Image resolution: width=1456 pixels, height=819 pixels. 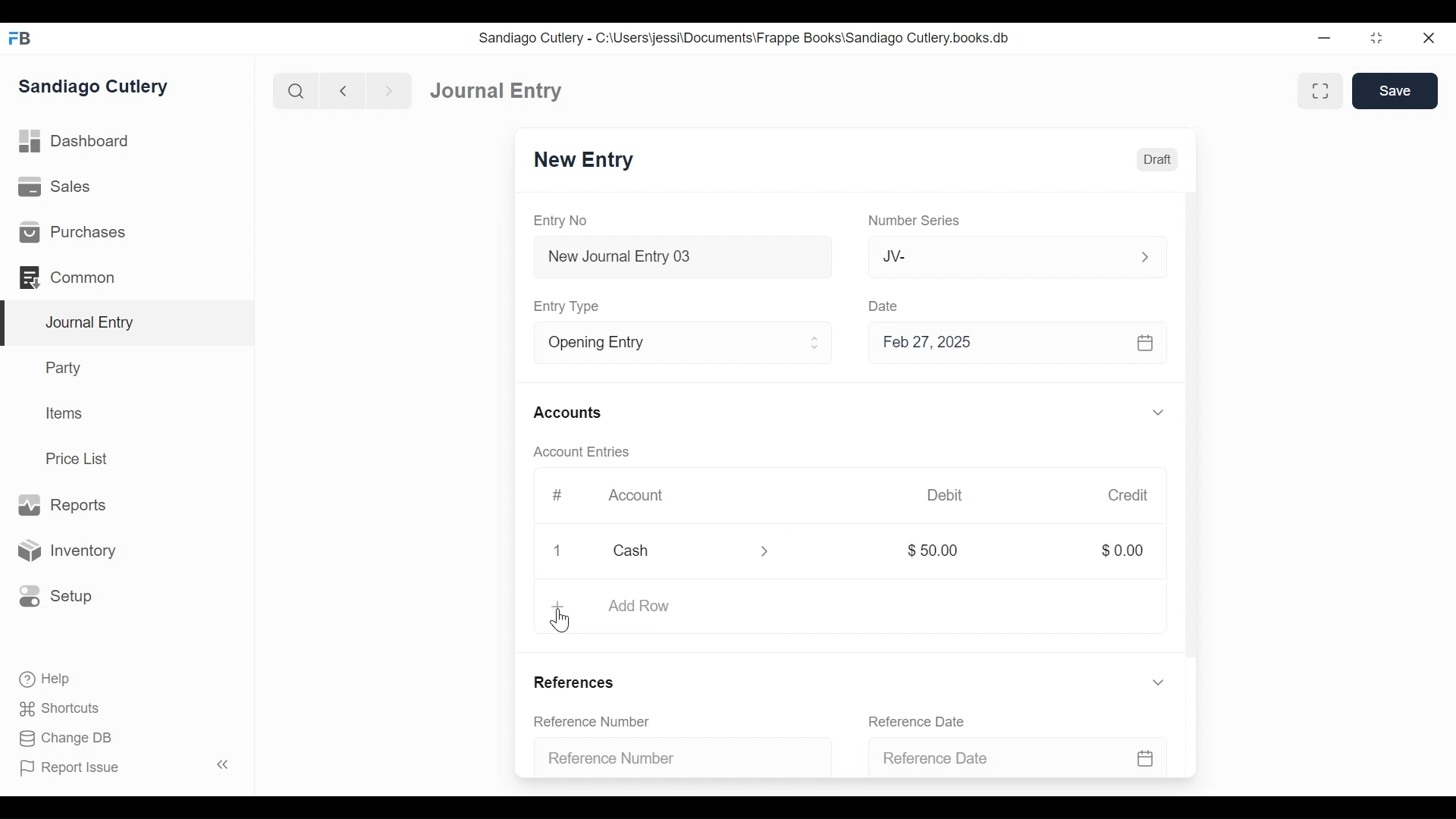 I want to click on Close, so click(x=1427, y=38).